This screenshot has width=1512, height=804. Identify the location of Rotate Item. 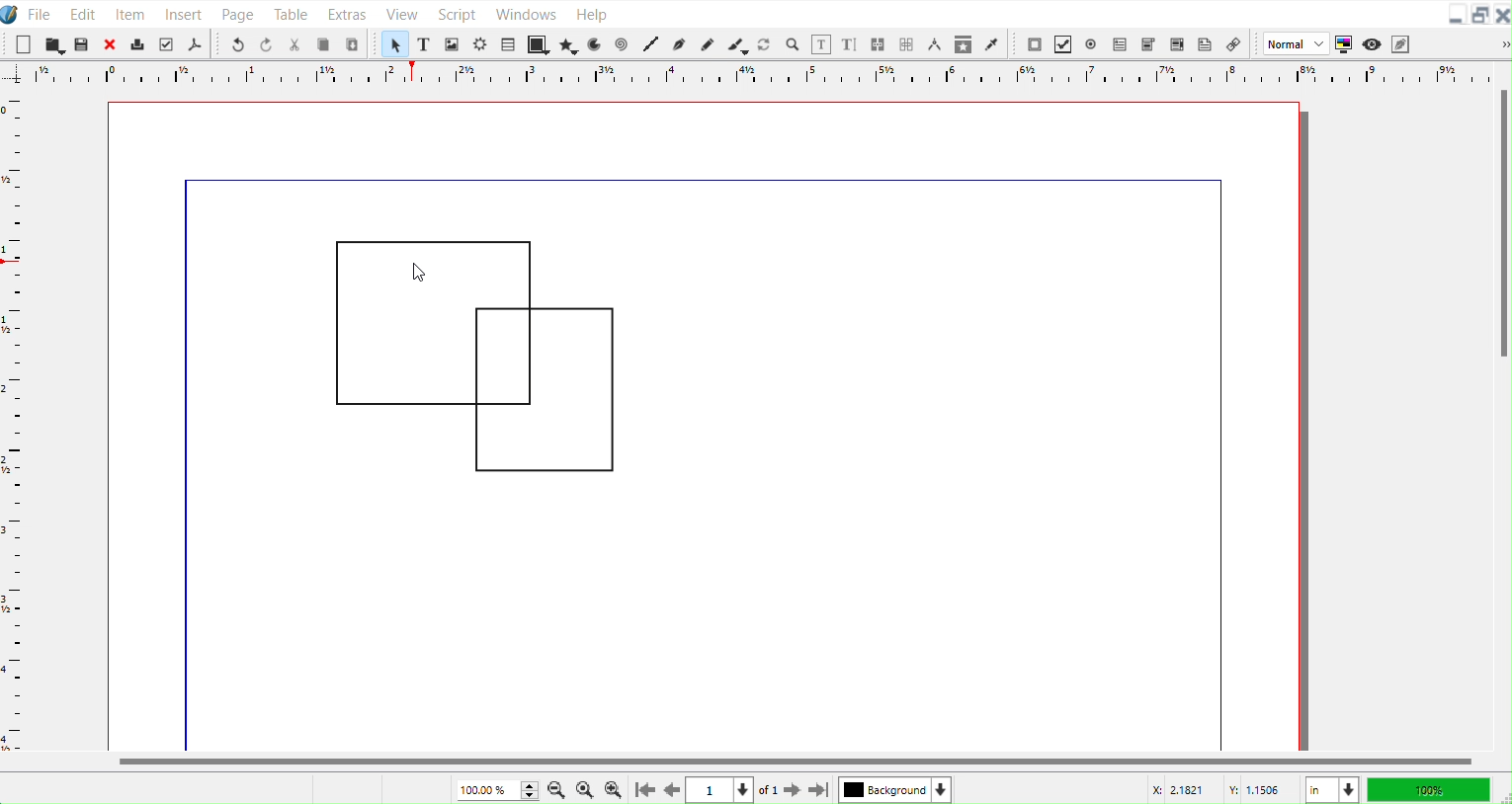
(765, 44).